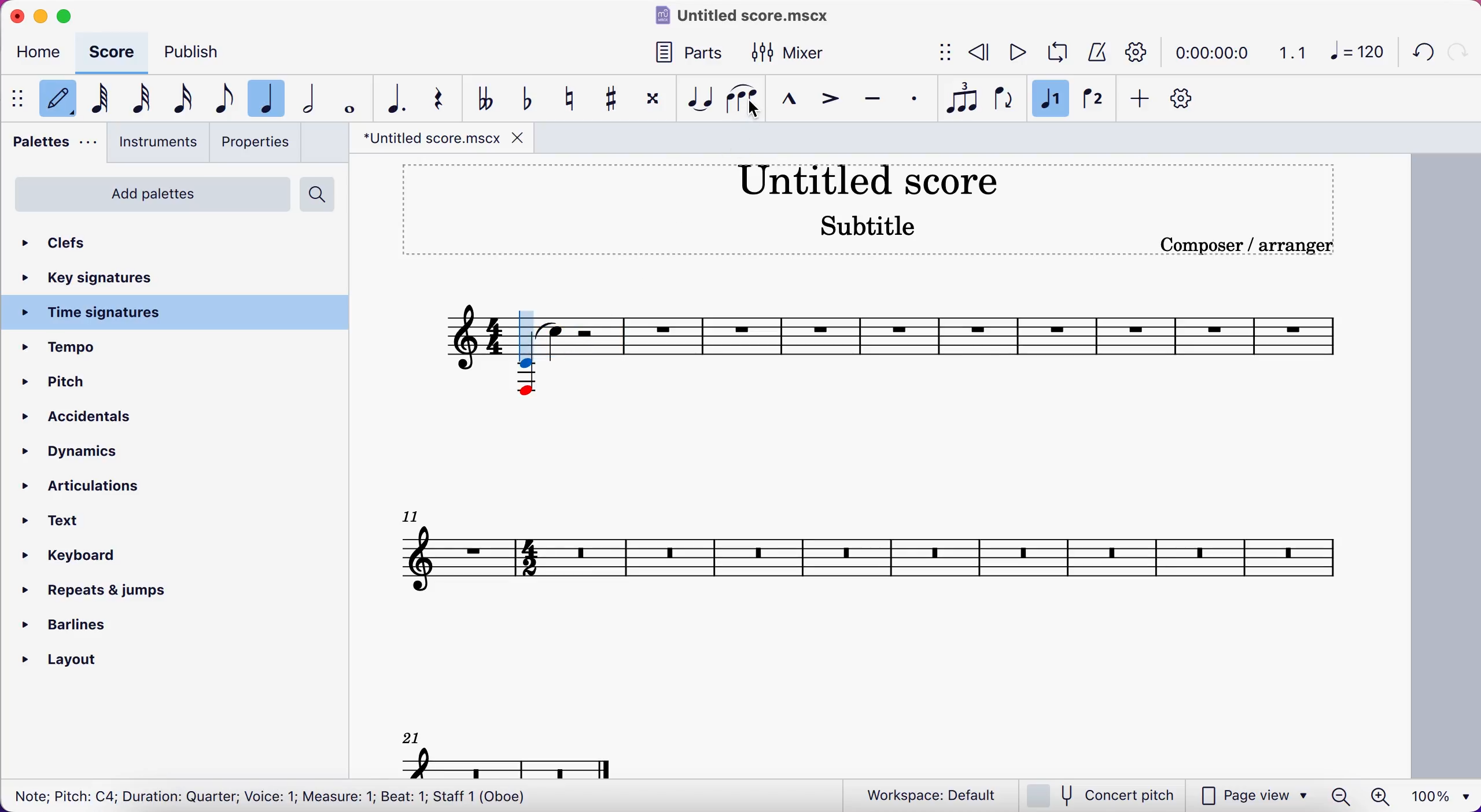 This screenshot has height=812, width=1481. I want to click on close, so click(16, 16).